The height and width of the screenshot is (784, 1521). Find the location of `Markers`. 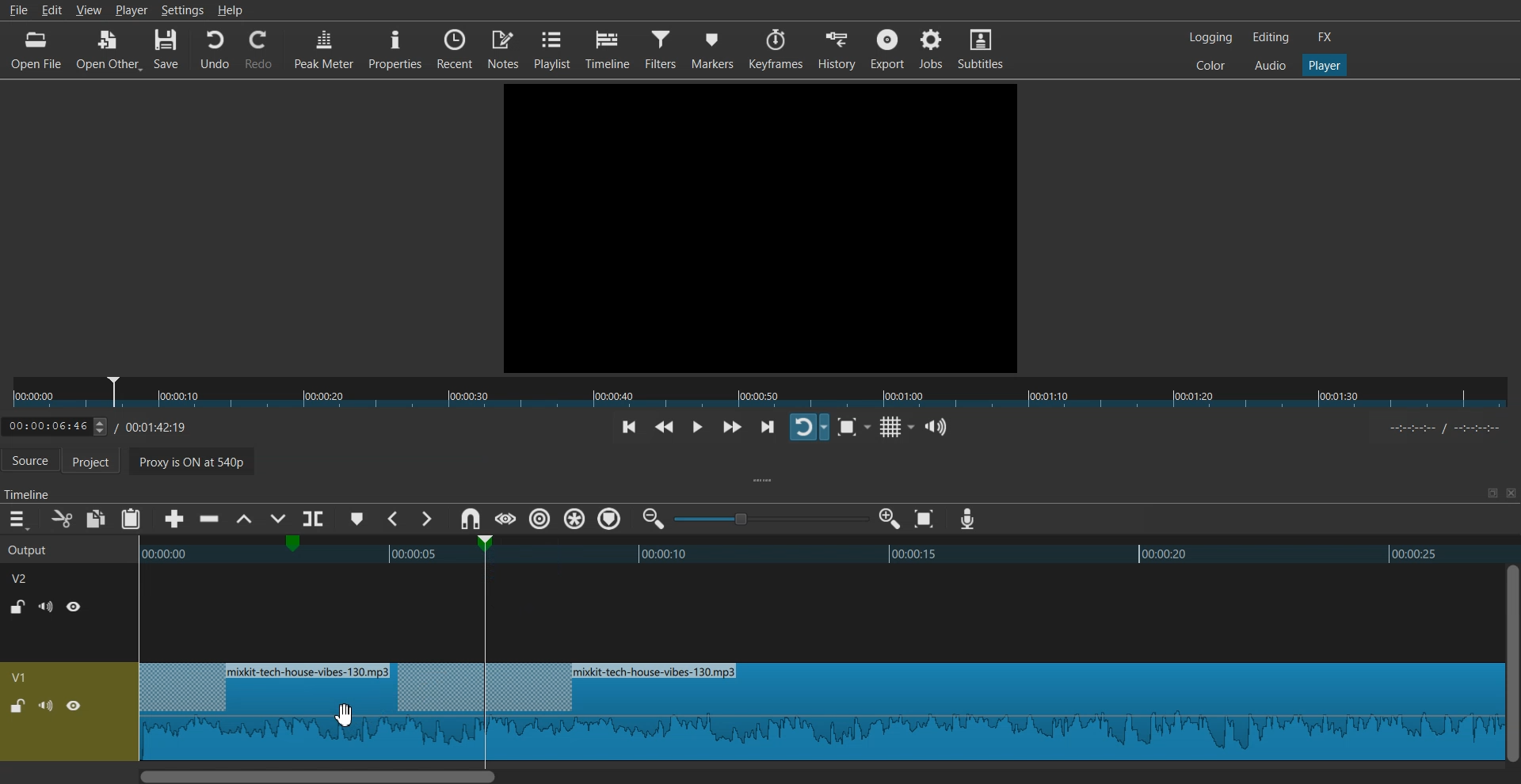

Markers is located at coordinates (713, 48).